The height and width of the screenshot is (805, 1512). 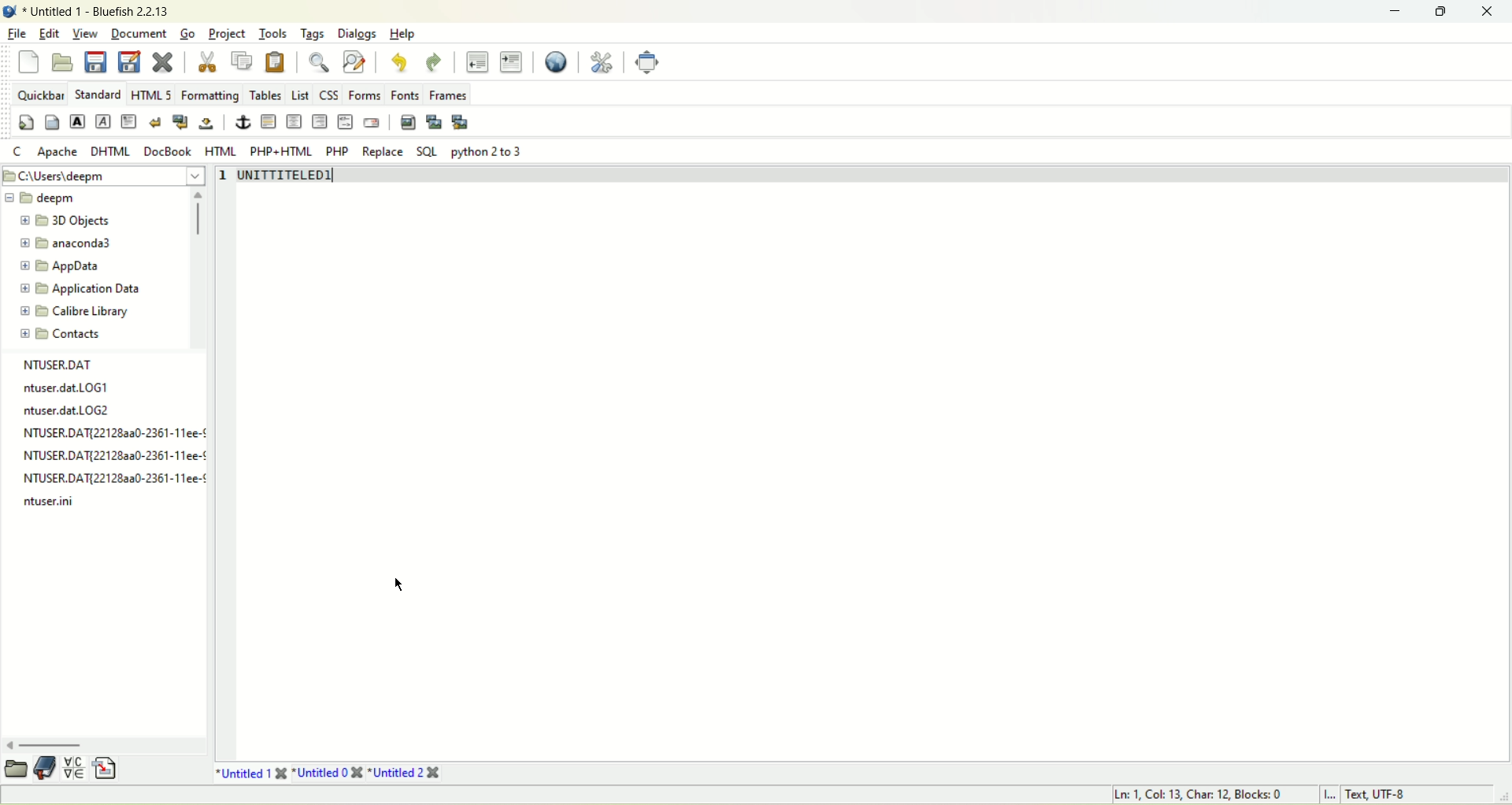 I want to click on contacts, so click(x=68, y=336).